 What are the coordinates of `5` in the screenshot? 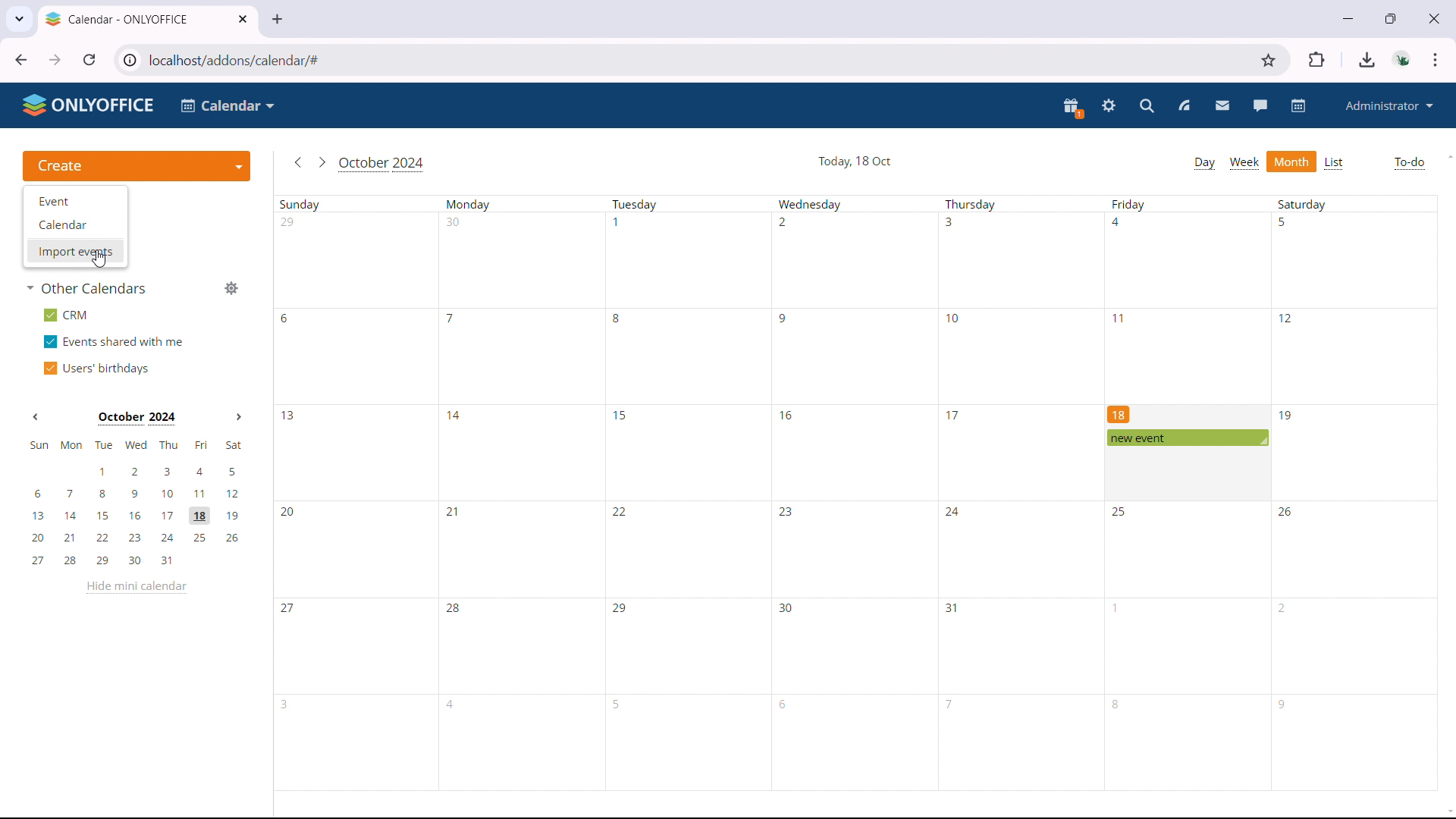 It's located at (619, 704).